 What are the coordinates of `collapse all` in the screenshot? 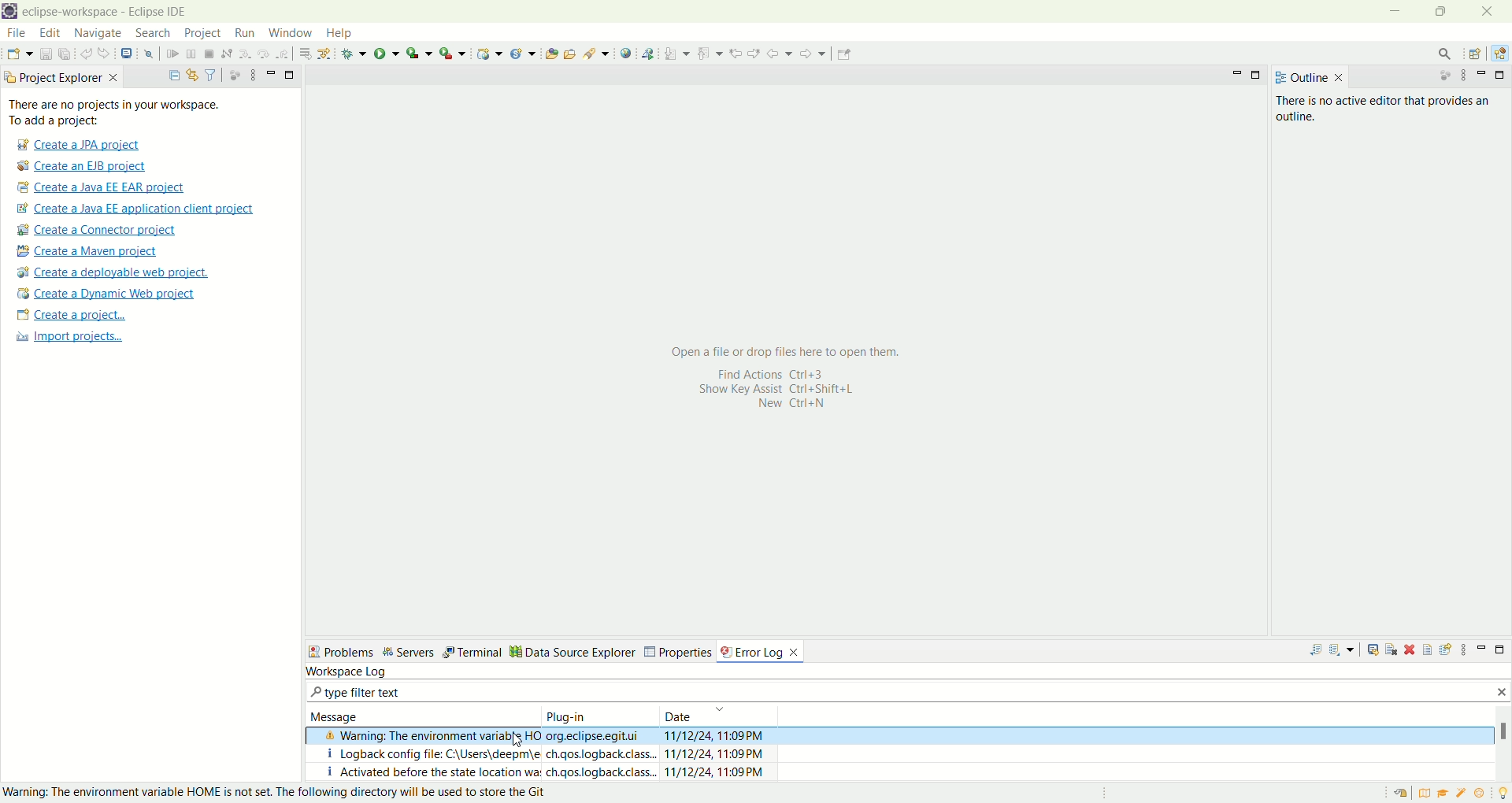 It's located at (172, 73).